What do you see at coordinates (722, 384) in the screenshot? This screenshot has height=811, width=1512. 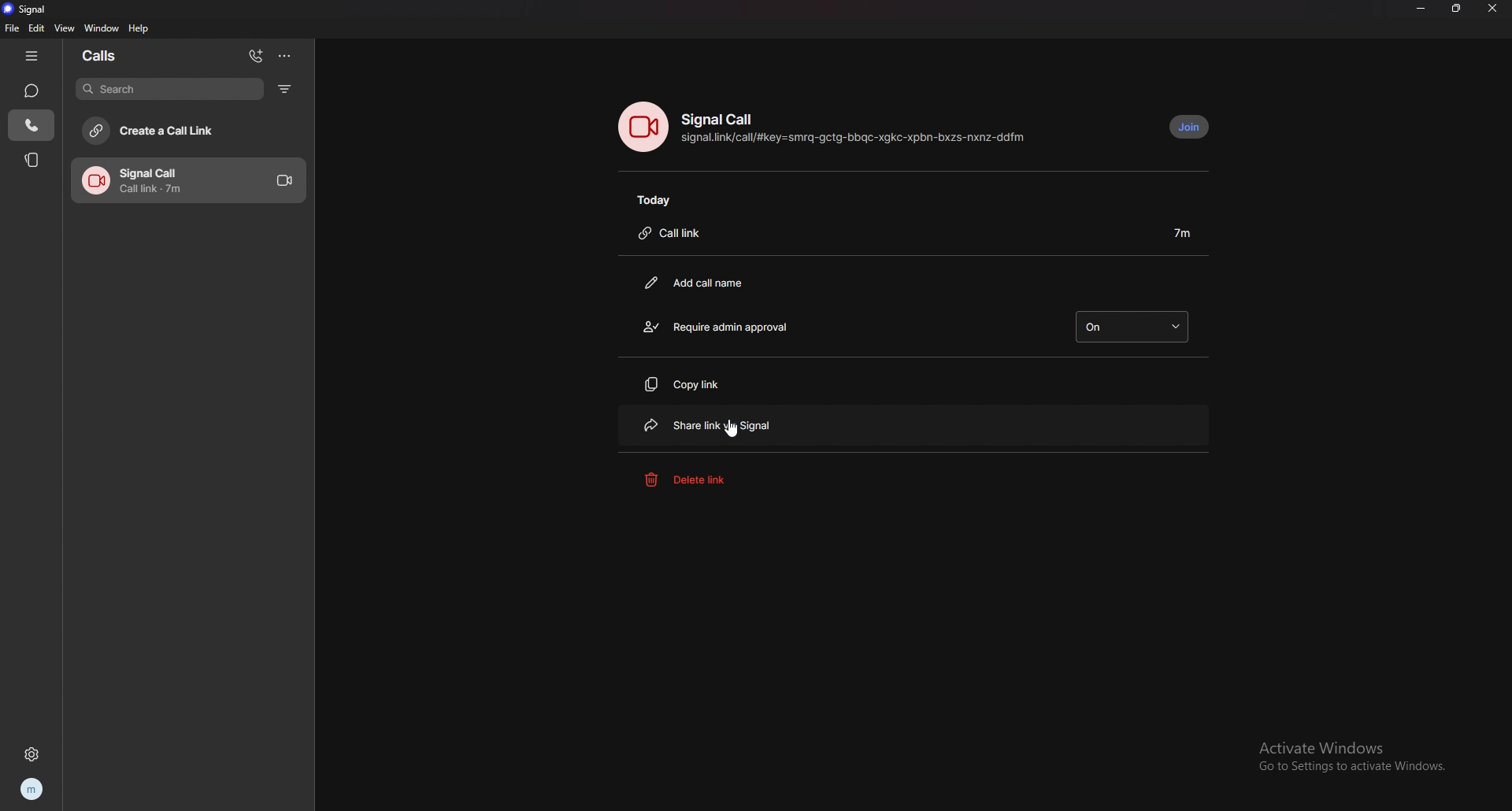 I see `copy link` at bounding box center [722, 384].